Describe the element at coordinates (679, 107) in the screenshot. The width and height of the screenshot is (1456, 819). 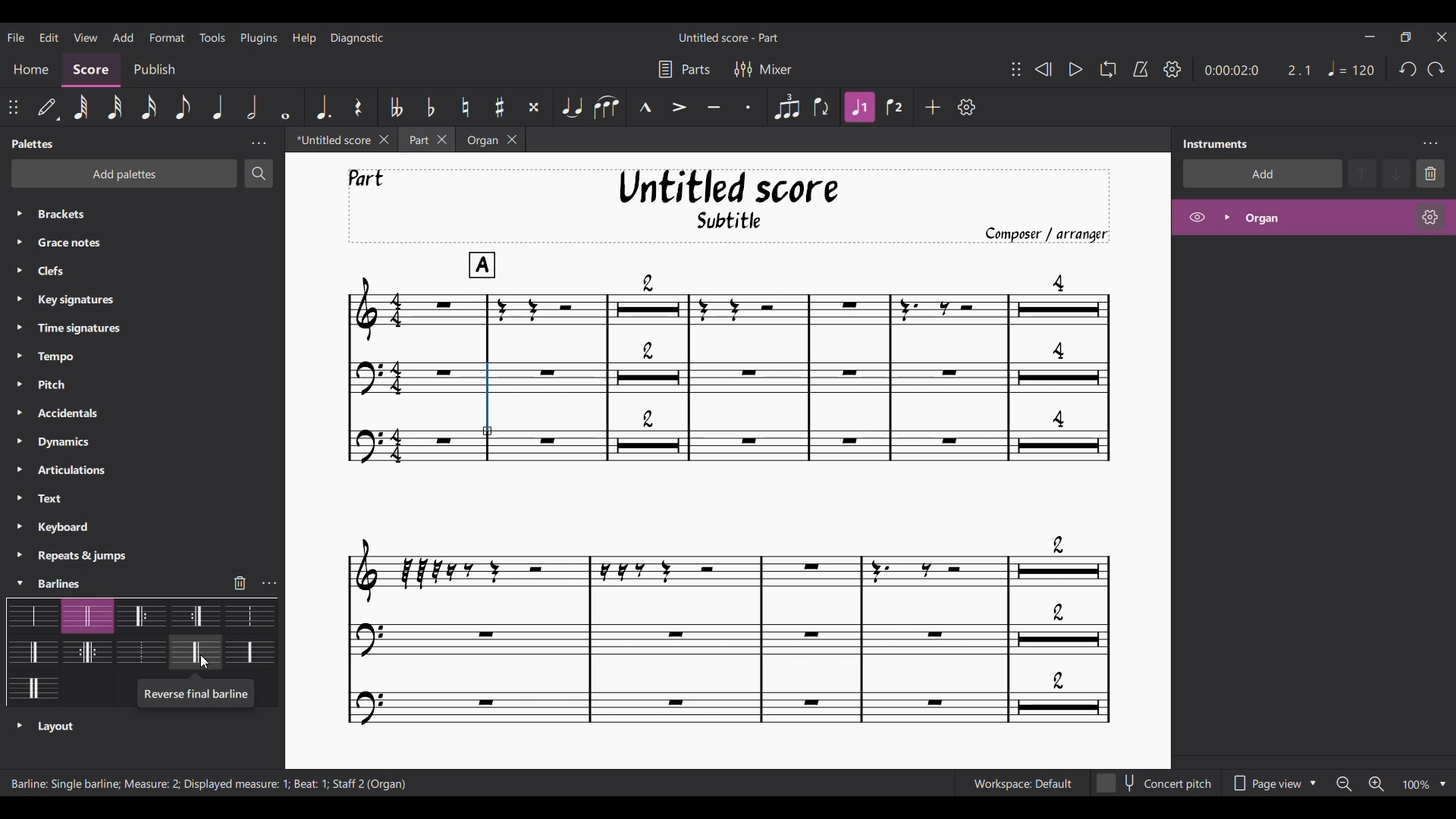
I see `Accent` at that location.